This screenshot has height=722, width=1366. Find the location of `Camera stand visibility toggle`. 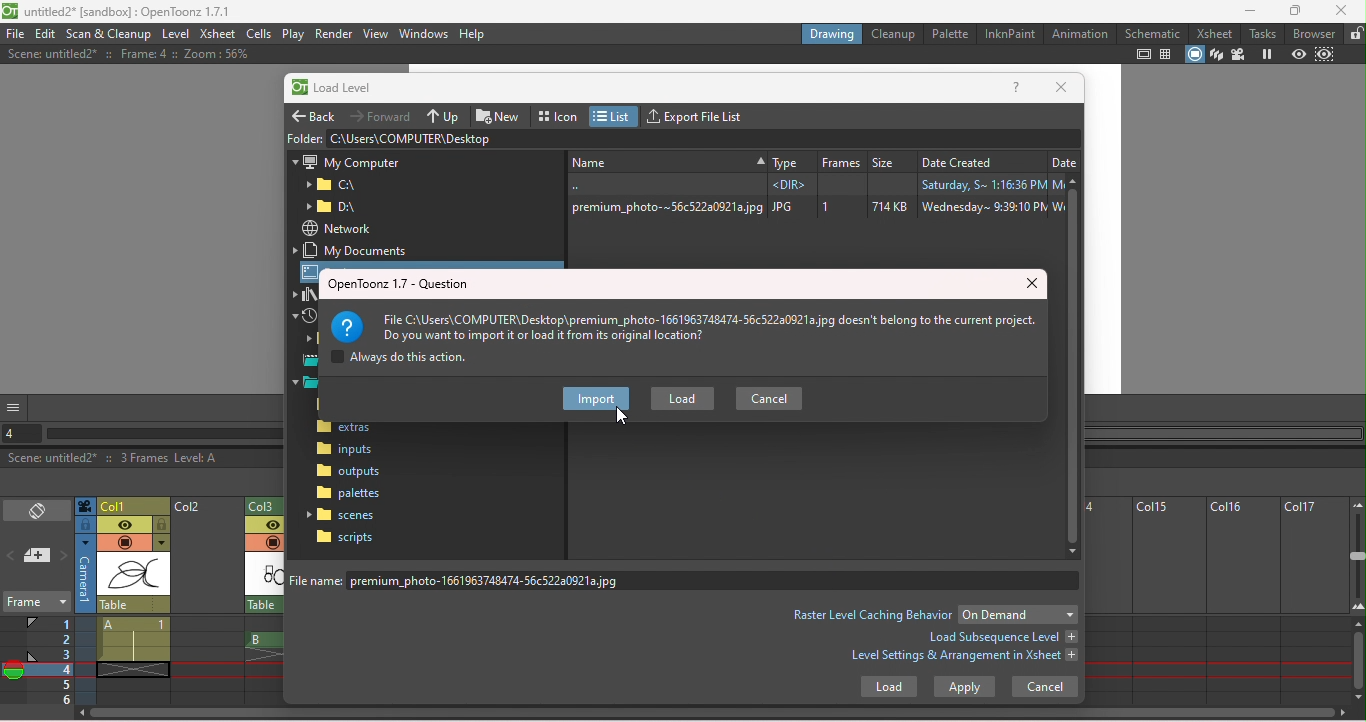

Camera stand visibility toggle is located at coordinates (124, 543).